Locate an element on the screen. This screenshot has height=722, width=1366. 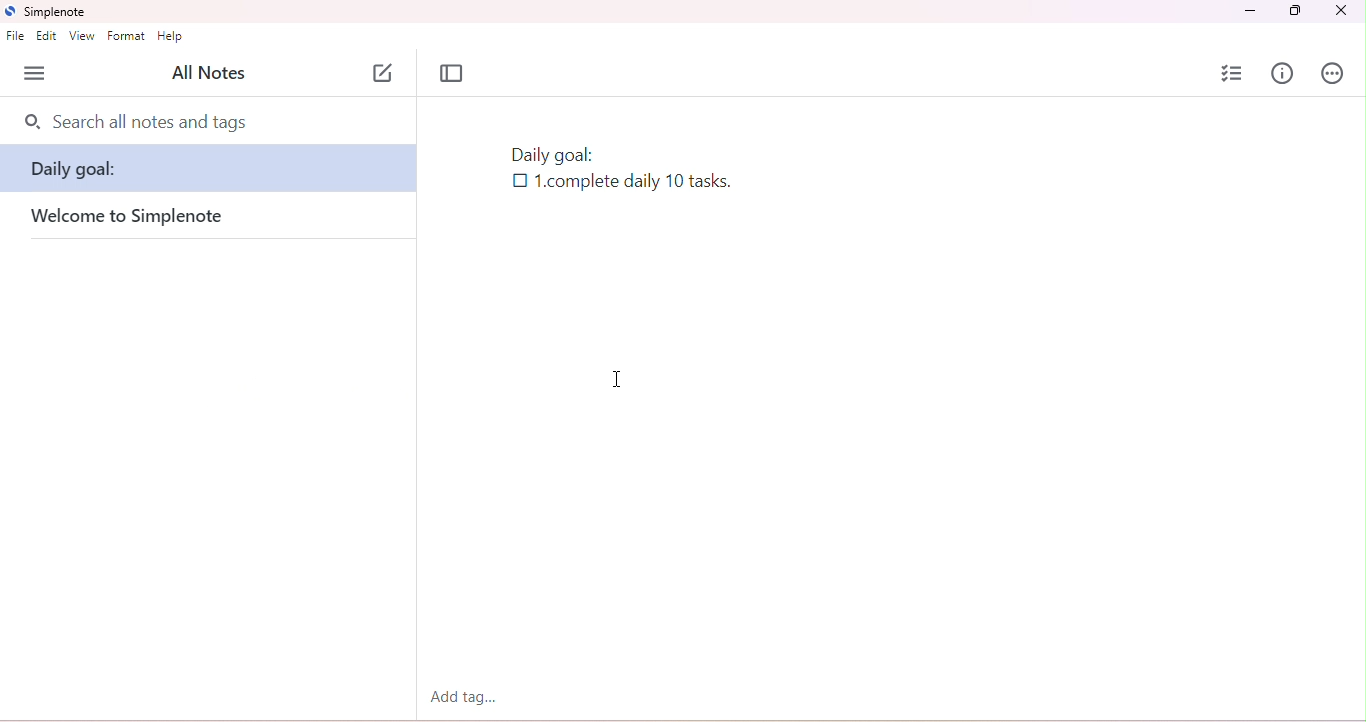
new note is located at coordinates (384, 72).